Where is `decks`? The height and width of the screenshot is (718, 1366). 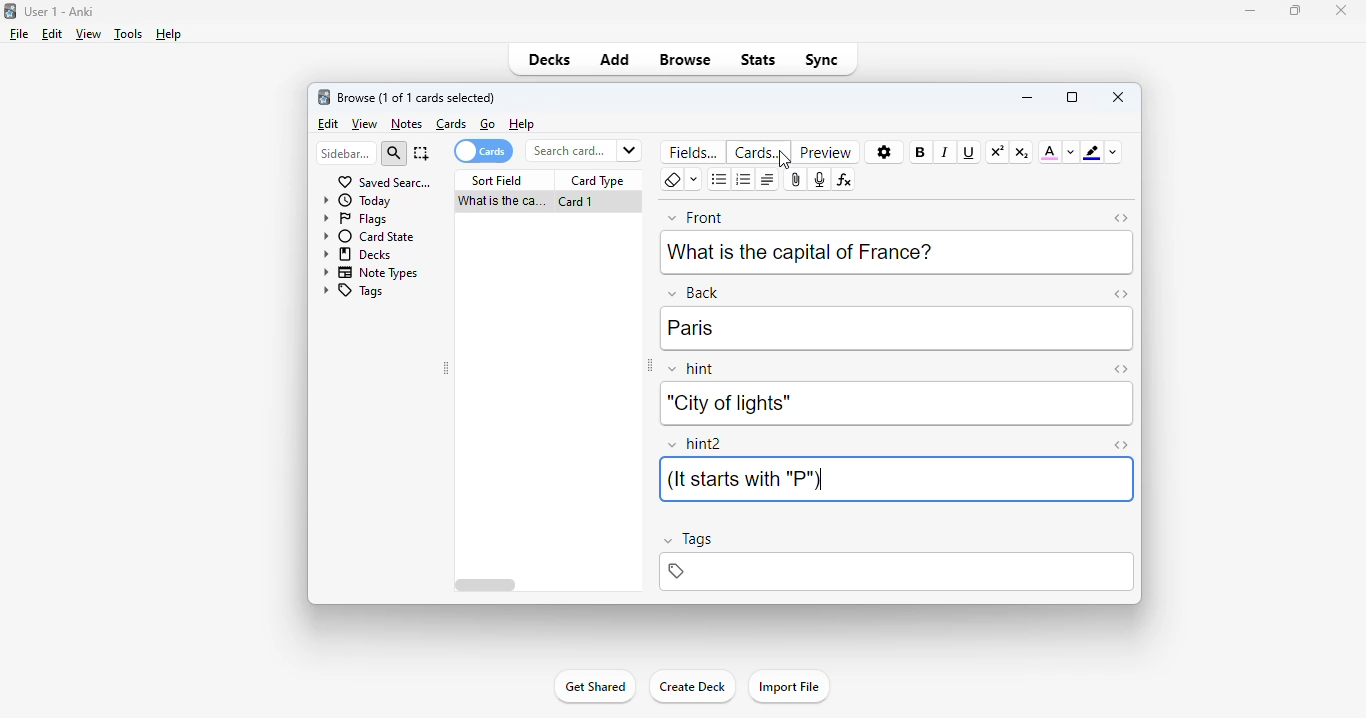 decks is located at coordinates (359, 253).